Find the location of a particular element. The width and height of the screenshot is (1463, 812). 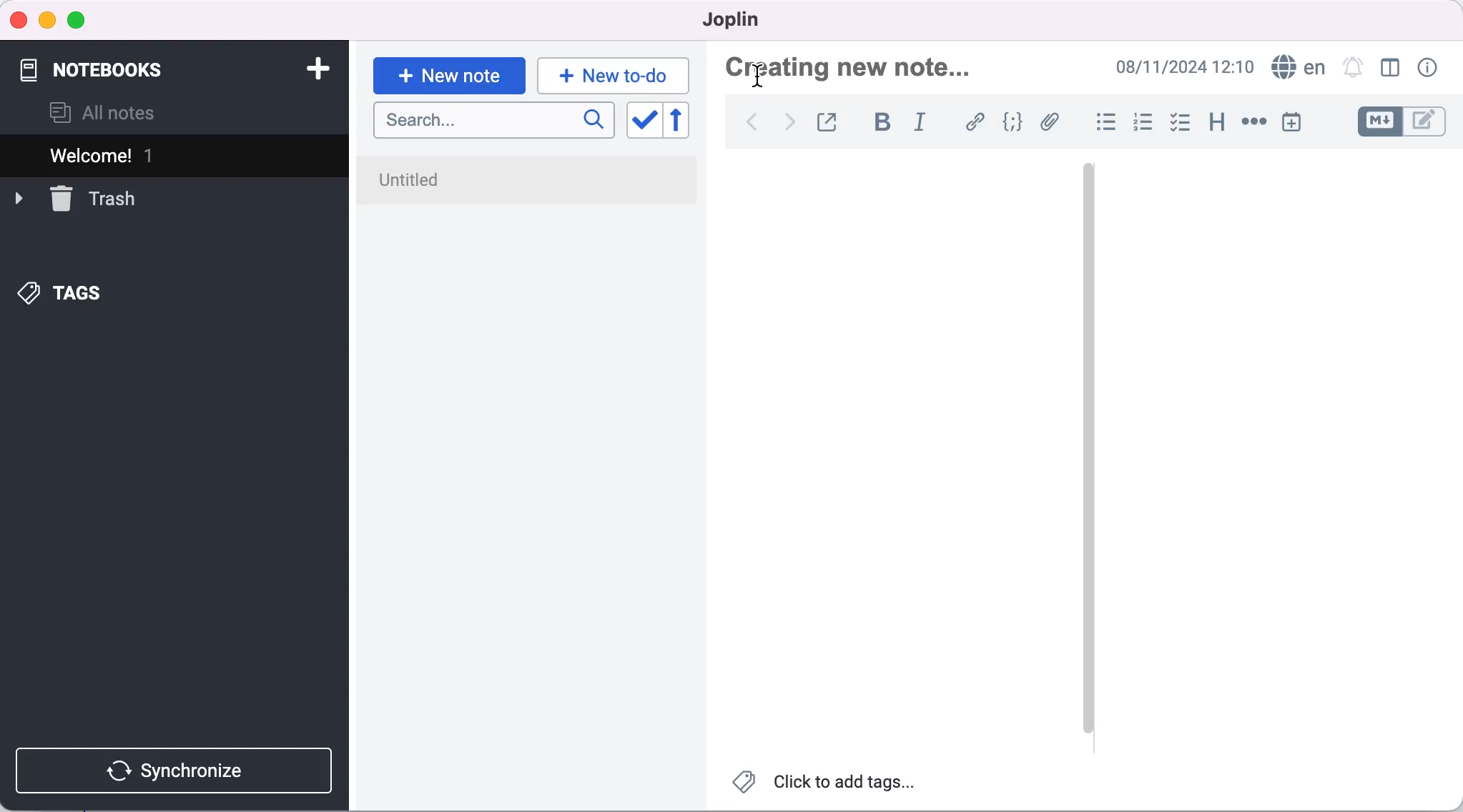

click to add tags is located at coordinates (829, 784).